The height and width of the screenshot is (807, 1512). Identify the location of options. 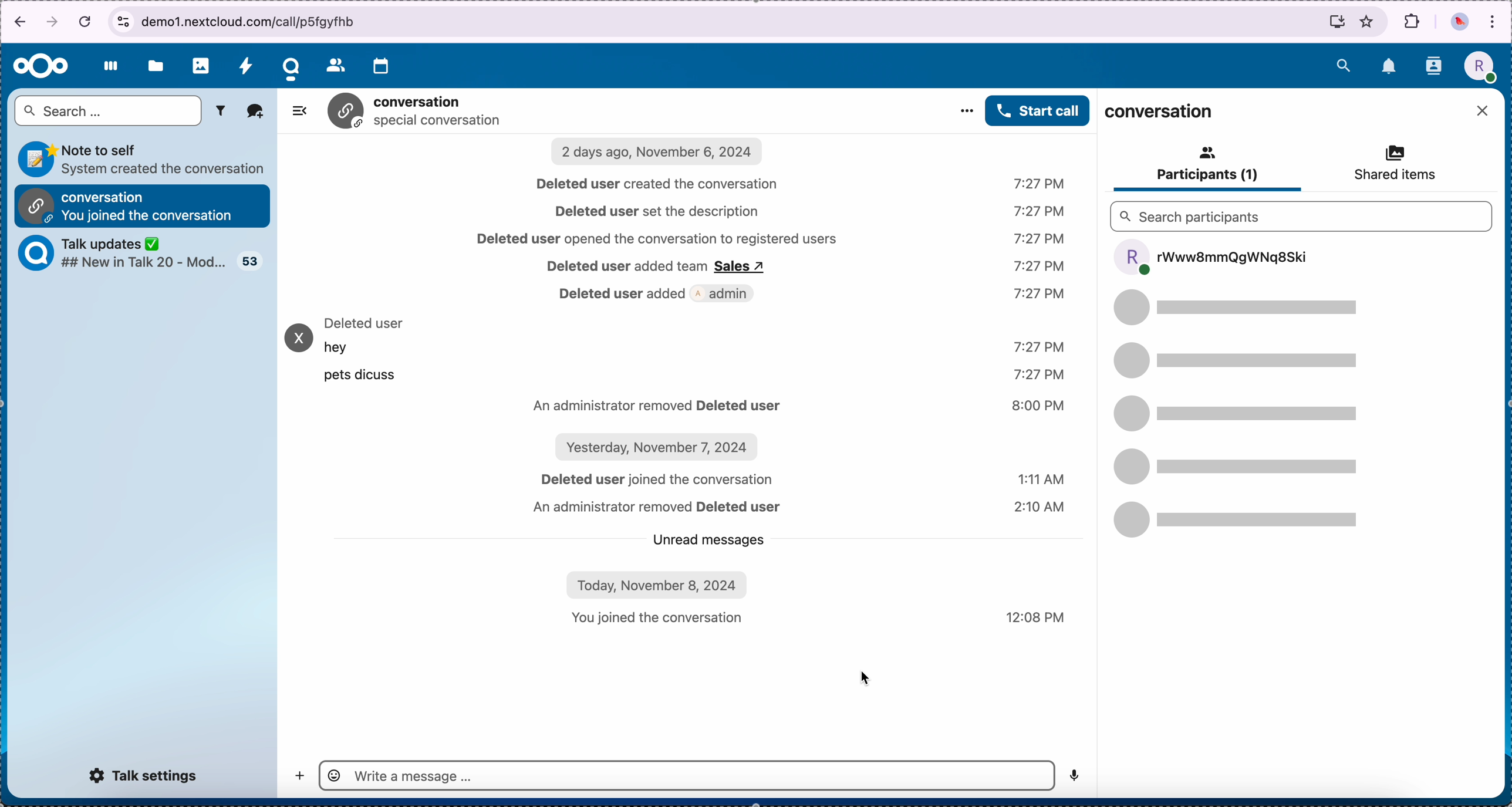
(965, 109).